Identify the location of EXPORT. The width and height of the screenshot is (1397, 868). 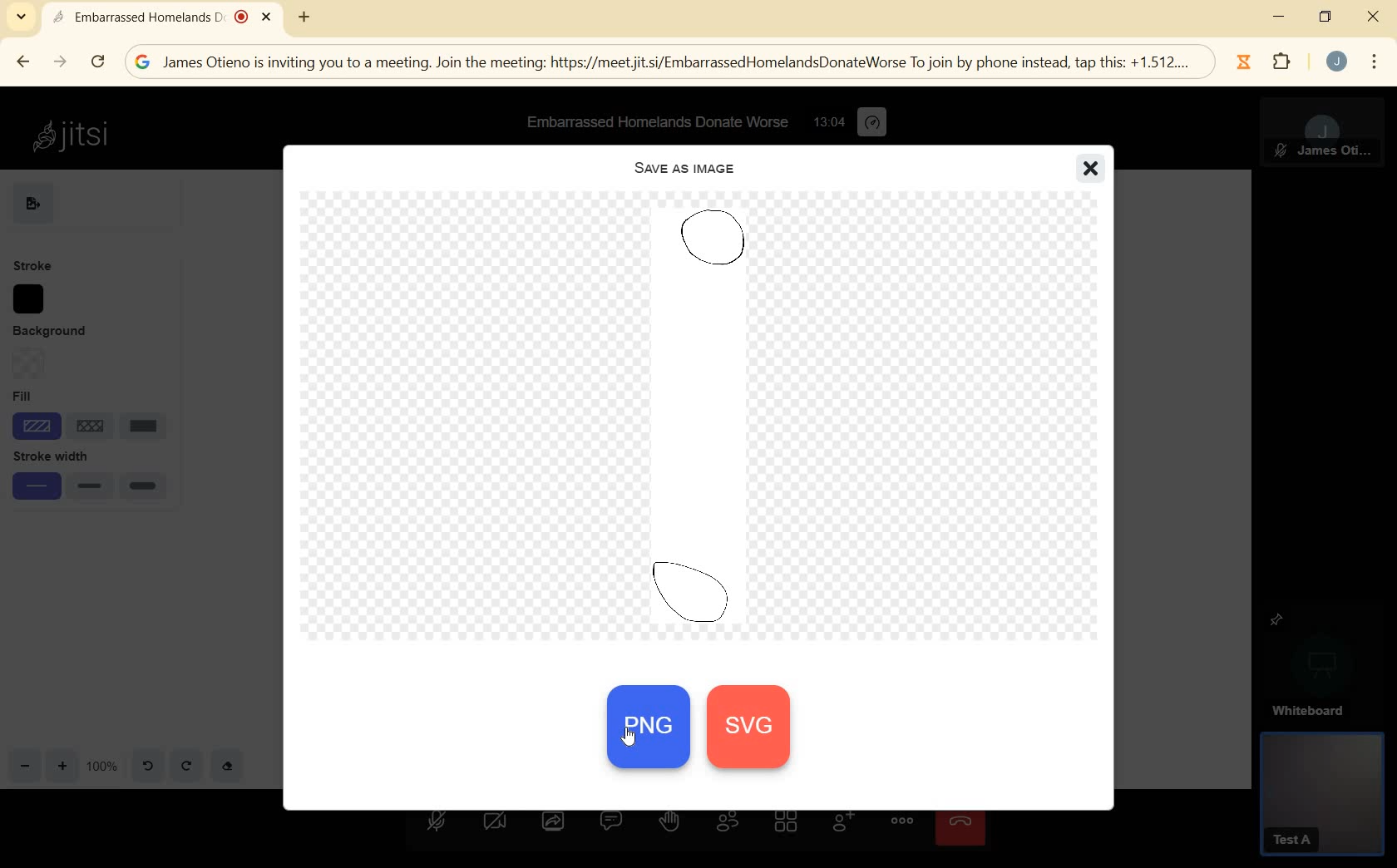
(34, 203).